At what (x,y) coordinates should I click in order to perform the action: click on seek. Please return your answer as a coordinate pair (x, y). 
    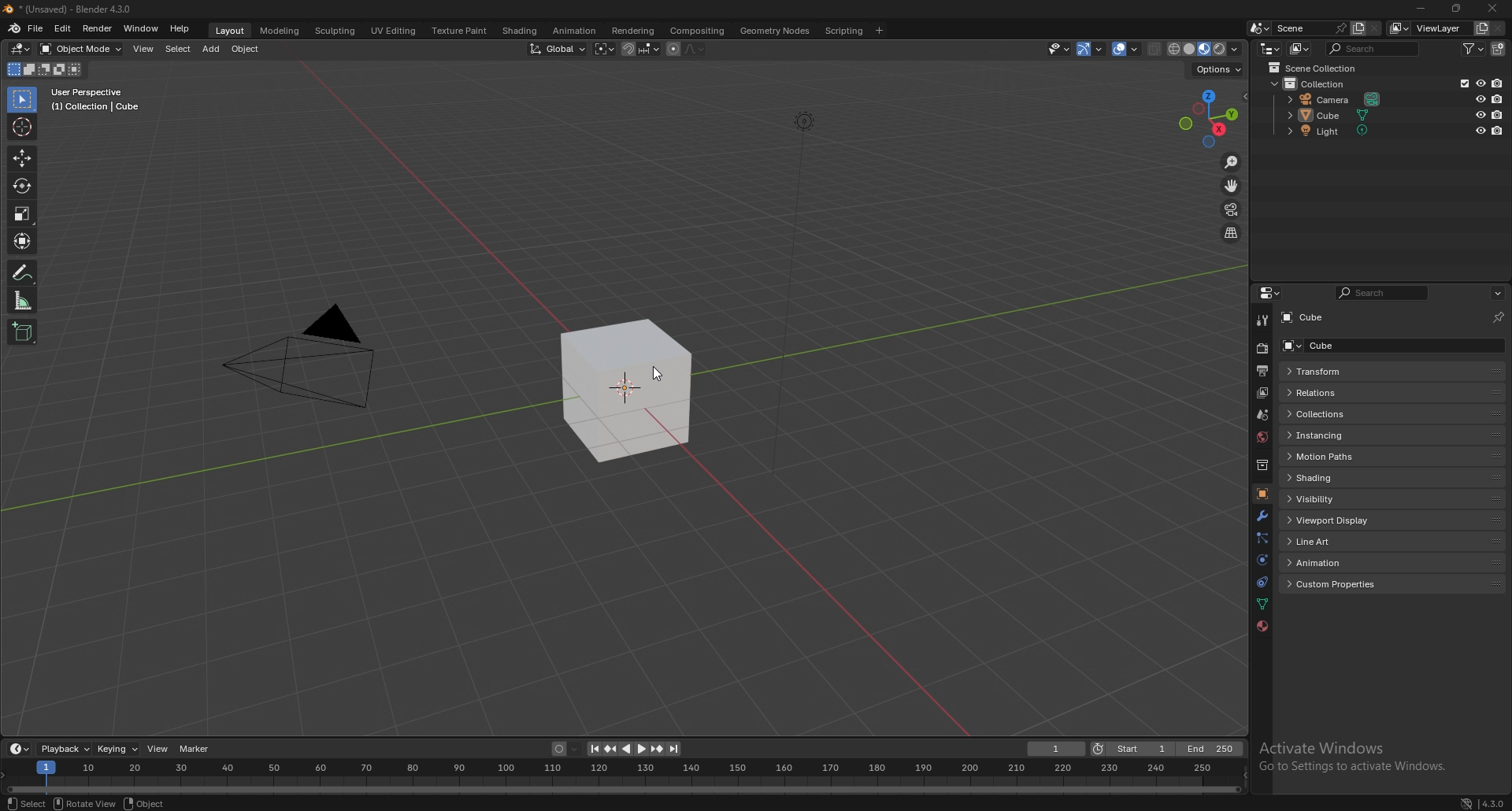
    Looking at the image, I should click on (625, 778).